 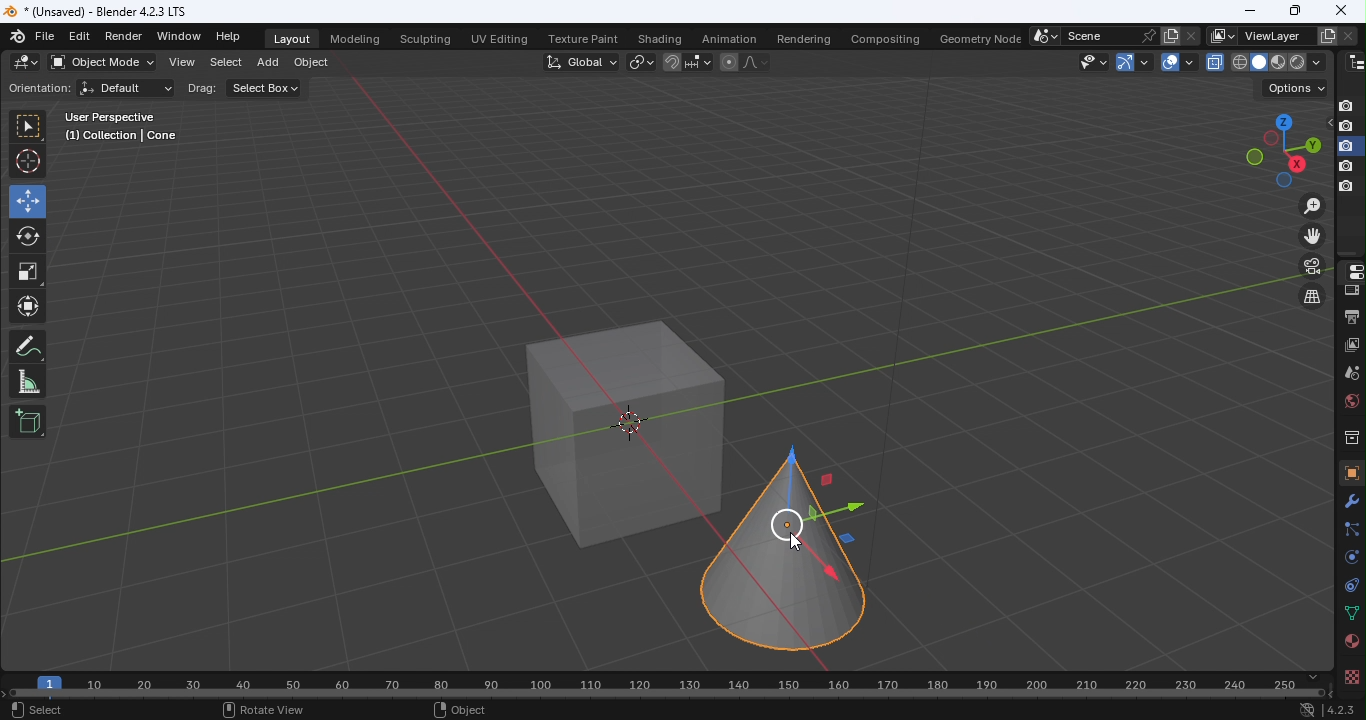 I want to click on Transform pivot point, so click(x=638, y=61).